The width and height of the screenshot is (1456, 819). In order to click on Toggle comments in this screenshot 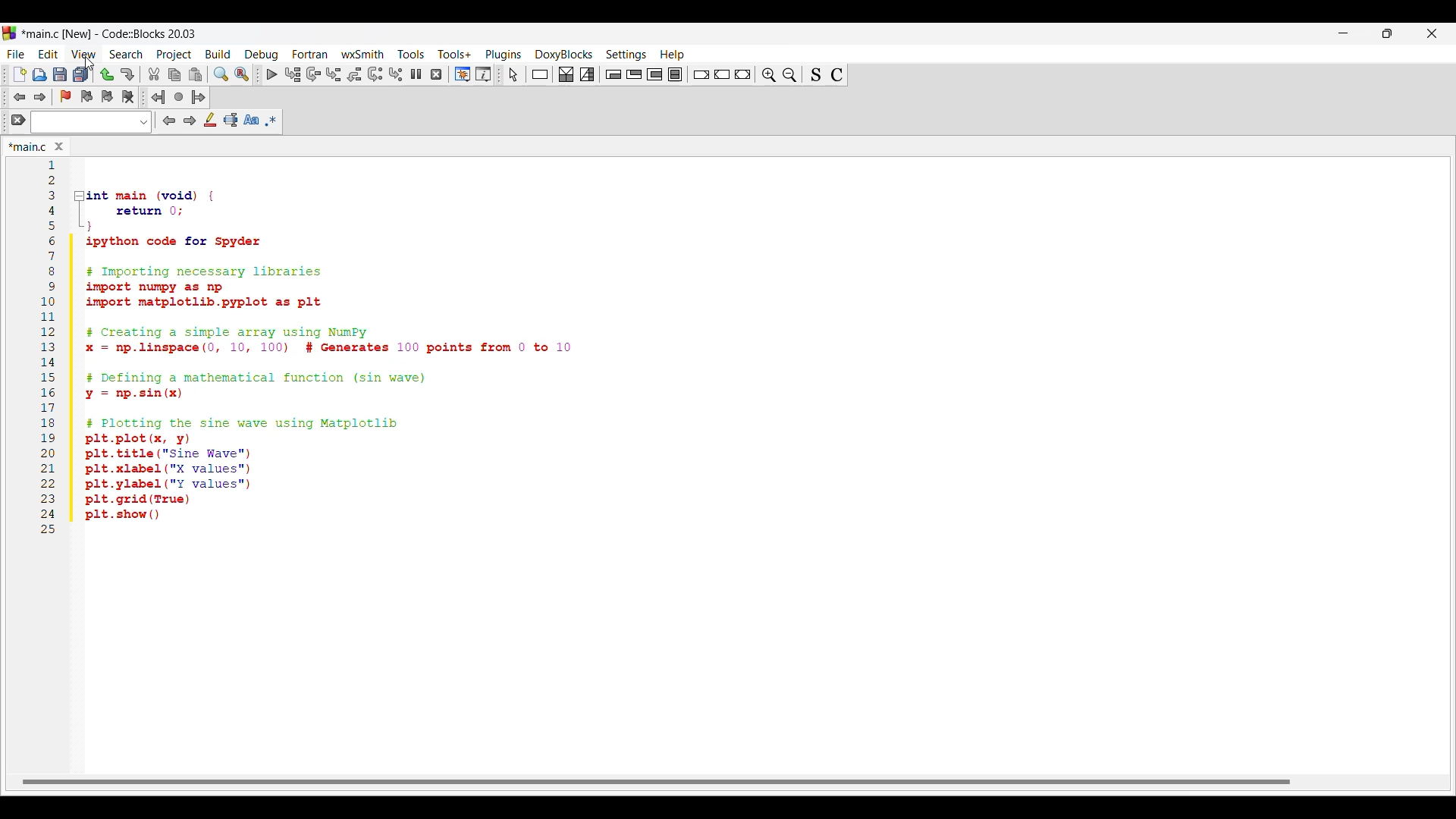, I will do `click(837, 75)`.